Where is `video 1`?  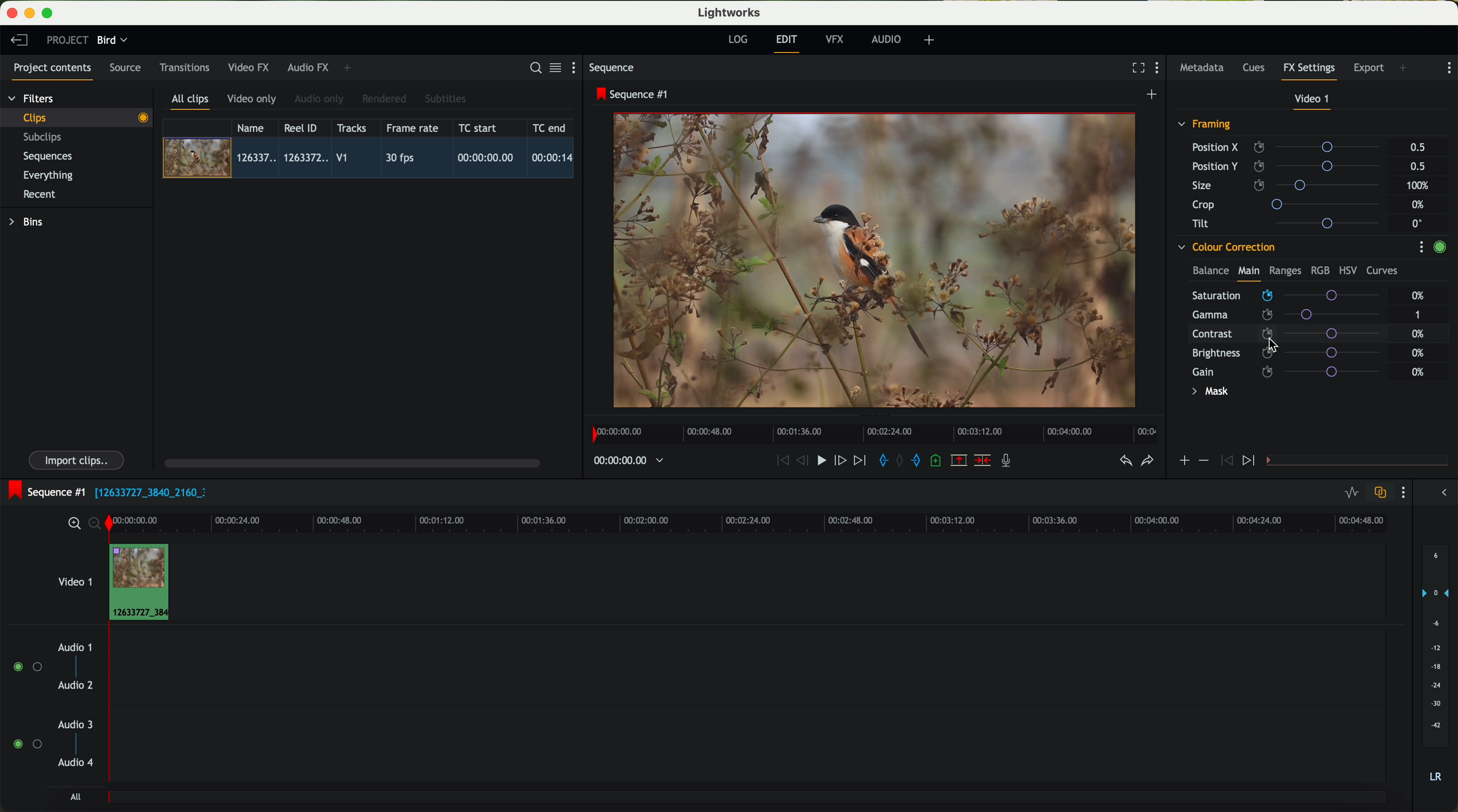
video 1 is located at coordinates (1313, 101).